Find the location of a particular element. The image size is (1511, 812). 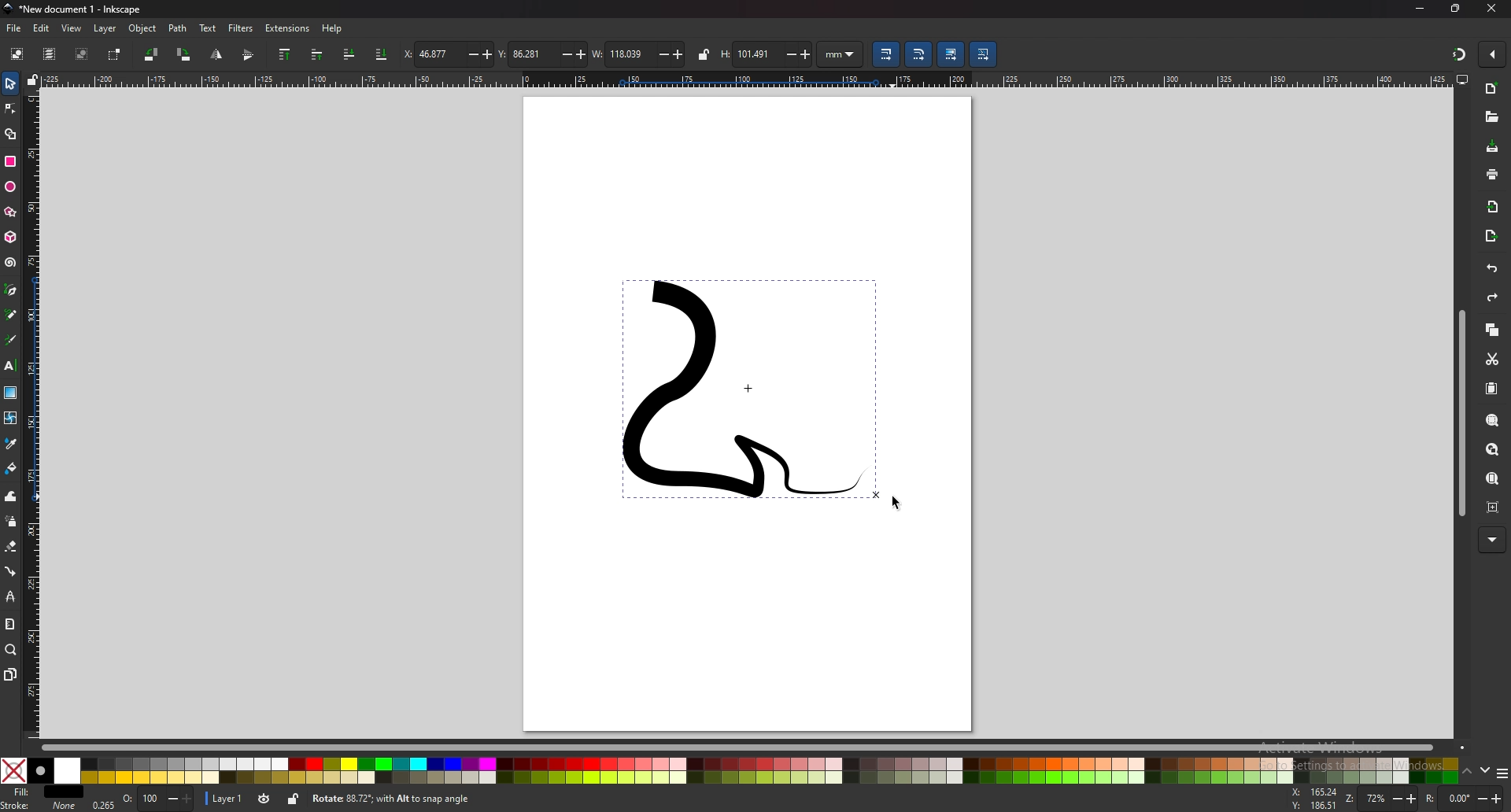

up is located at coordinates (1468, 772).